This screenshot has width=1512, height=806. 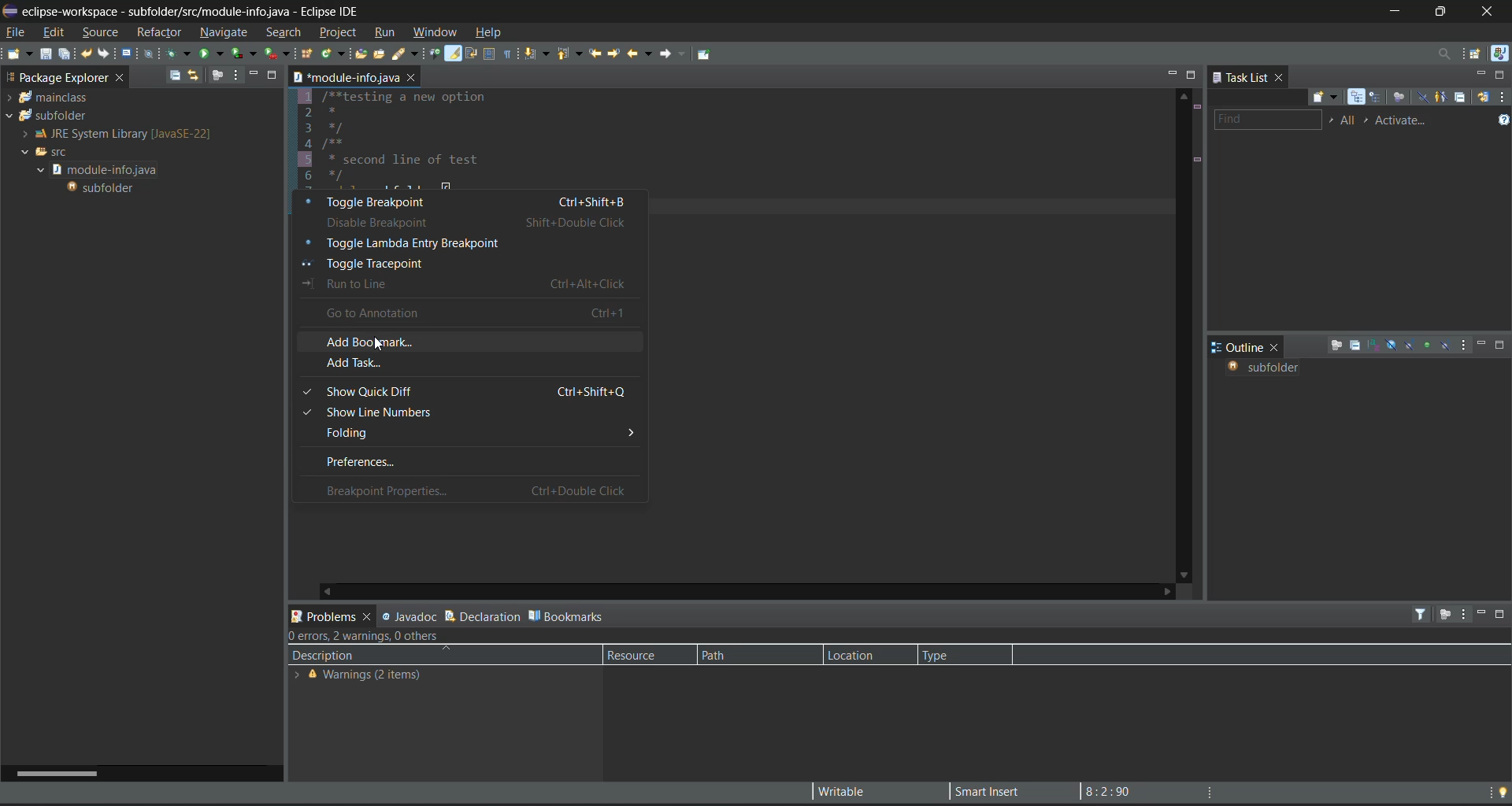 I want to click on view menu, so click(x=1465, y=346).